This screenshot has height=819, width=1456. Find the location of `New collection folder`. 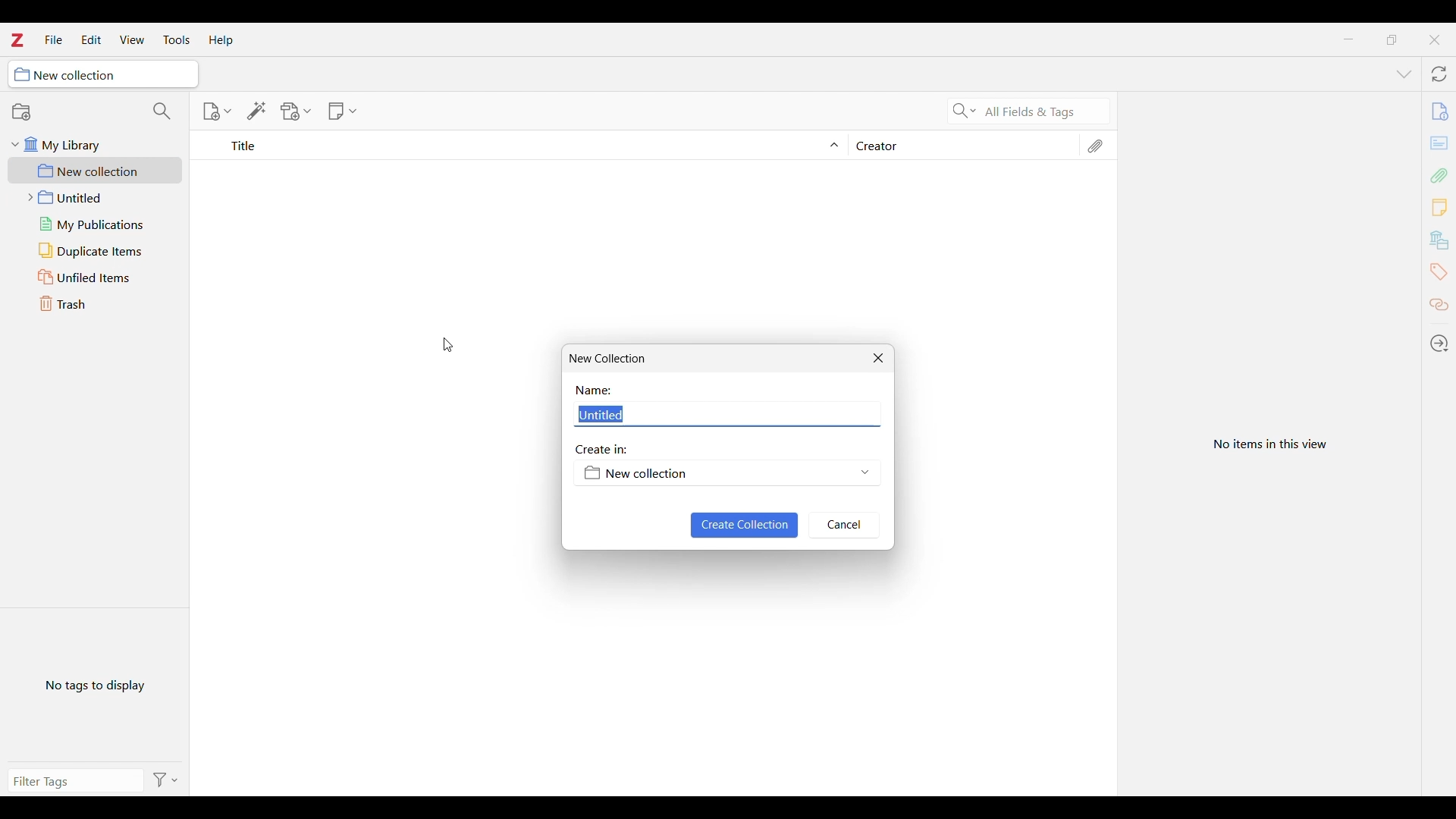

New collection folder is located at coordinates (95, 171).